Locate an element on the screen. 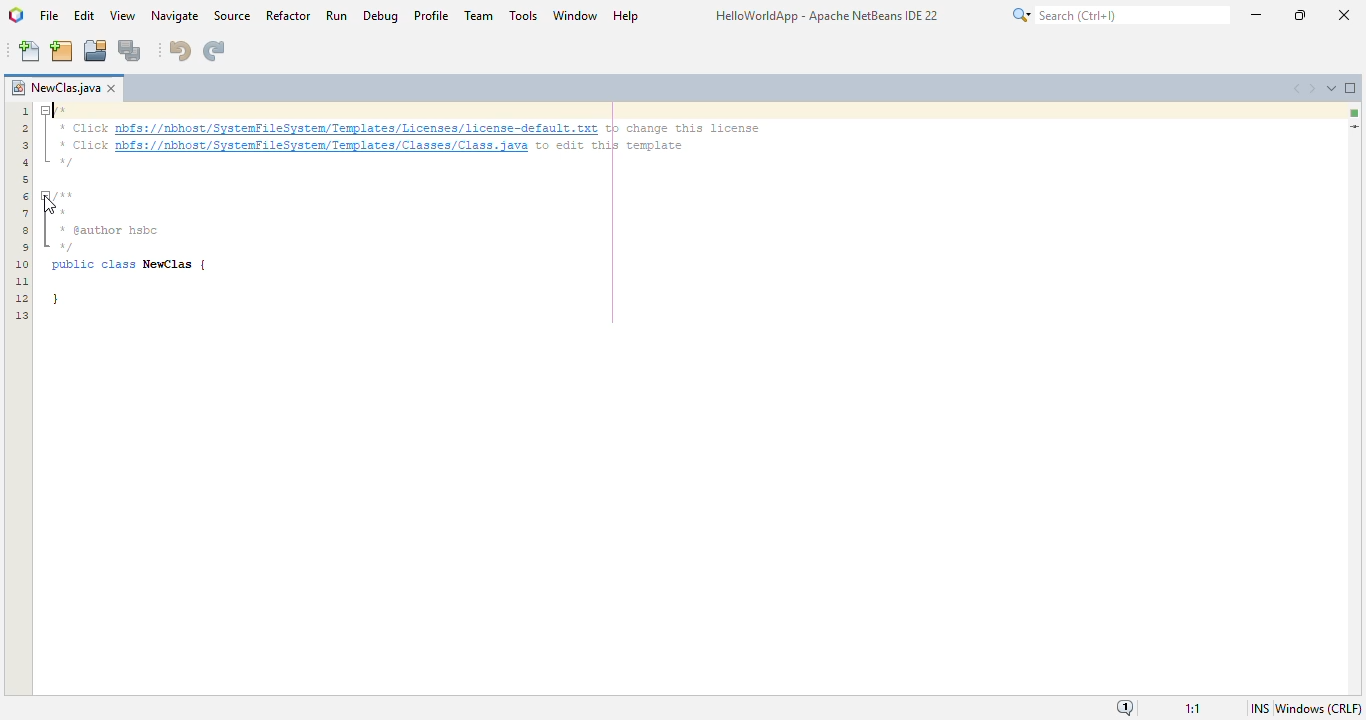  help is located at coordinates (627, 15).